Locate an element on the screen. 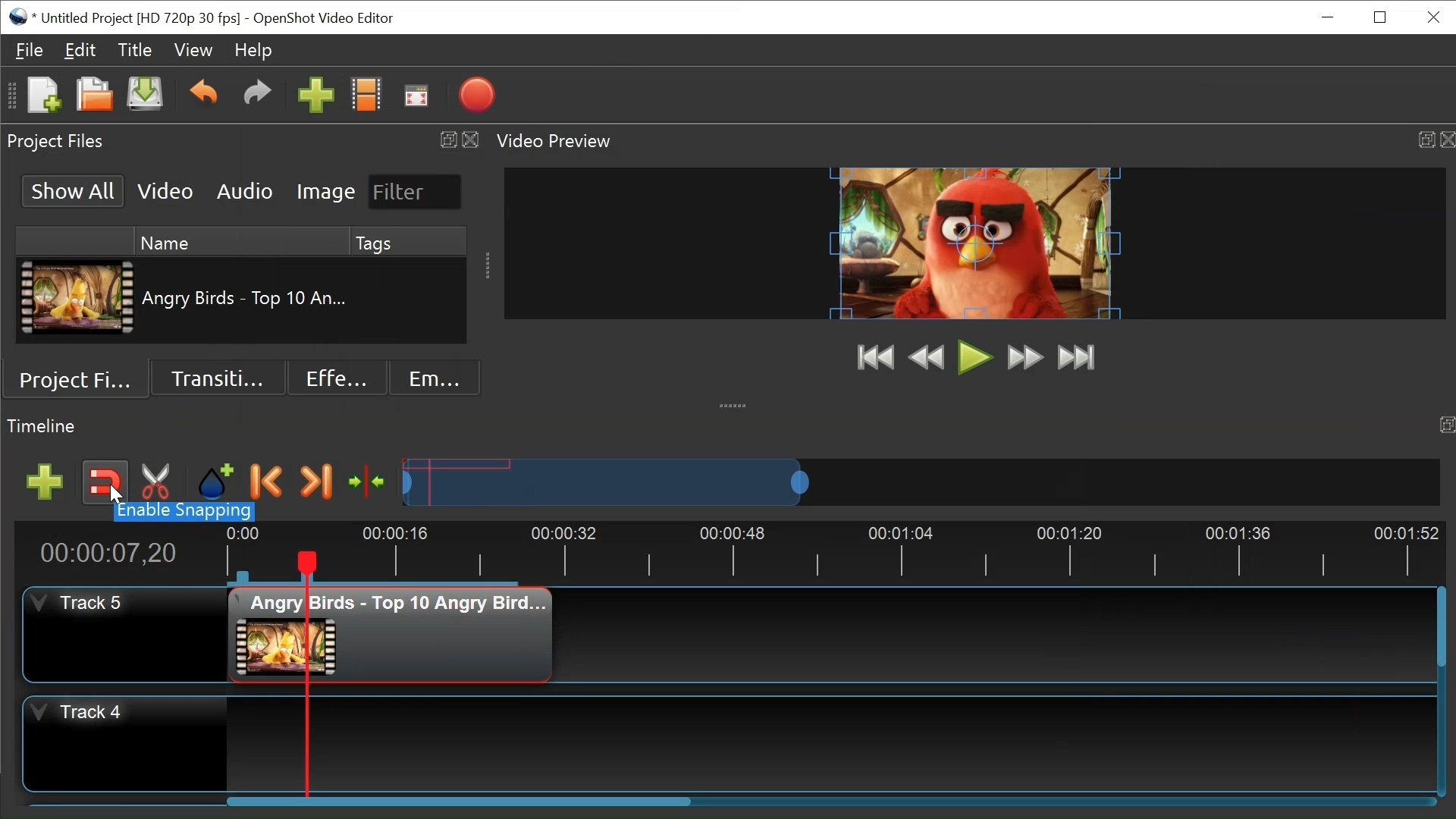 Image resolution: width=1456 pixels, height=819 pixels. Undo is located at coordinates (204, 95).